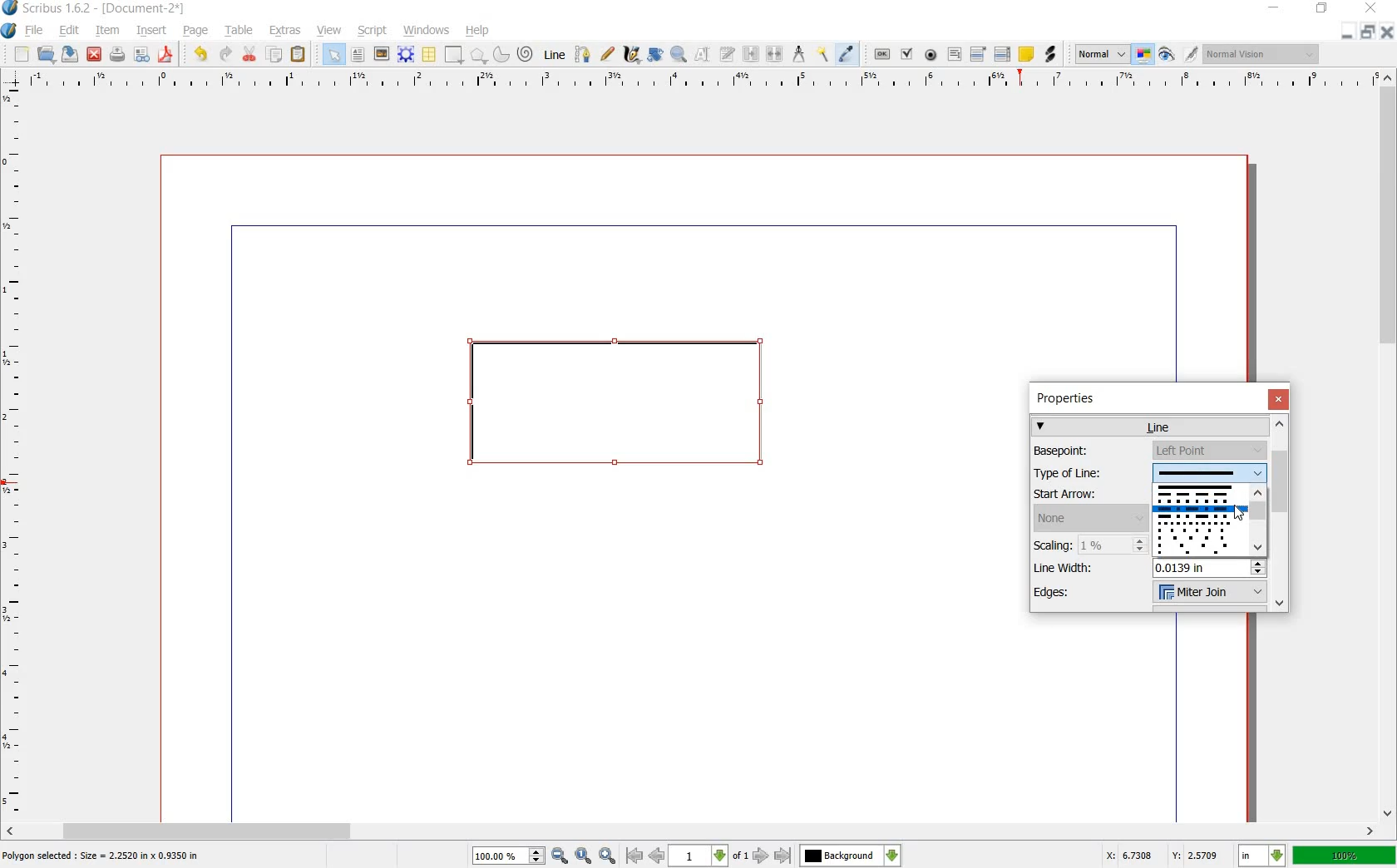 Image resolution: width=1397 pixels, height=868 pixels. What do you see at coordinates (10, 29) in the screenshot?
I see `SYSTEM LOGO` at bounding box center [10, 29].